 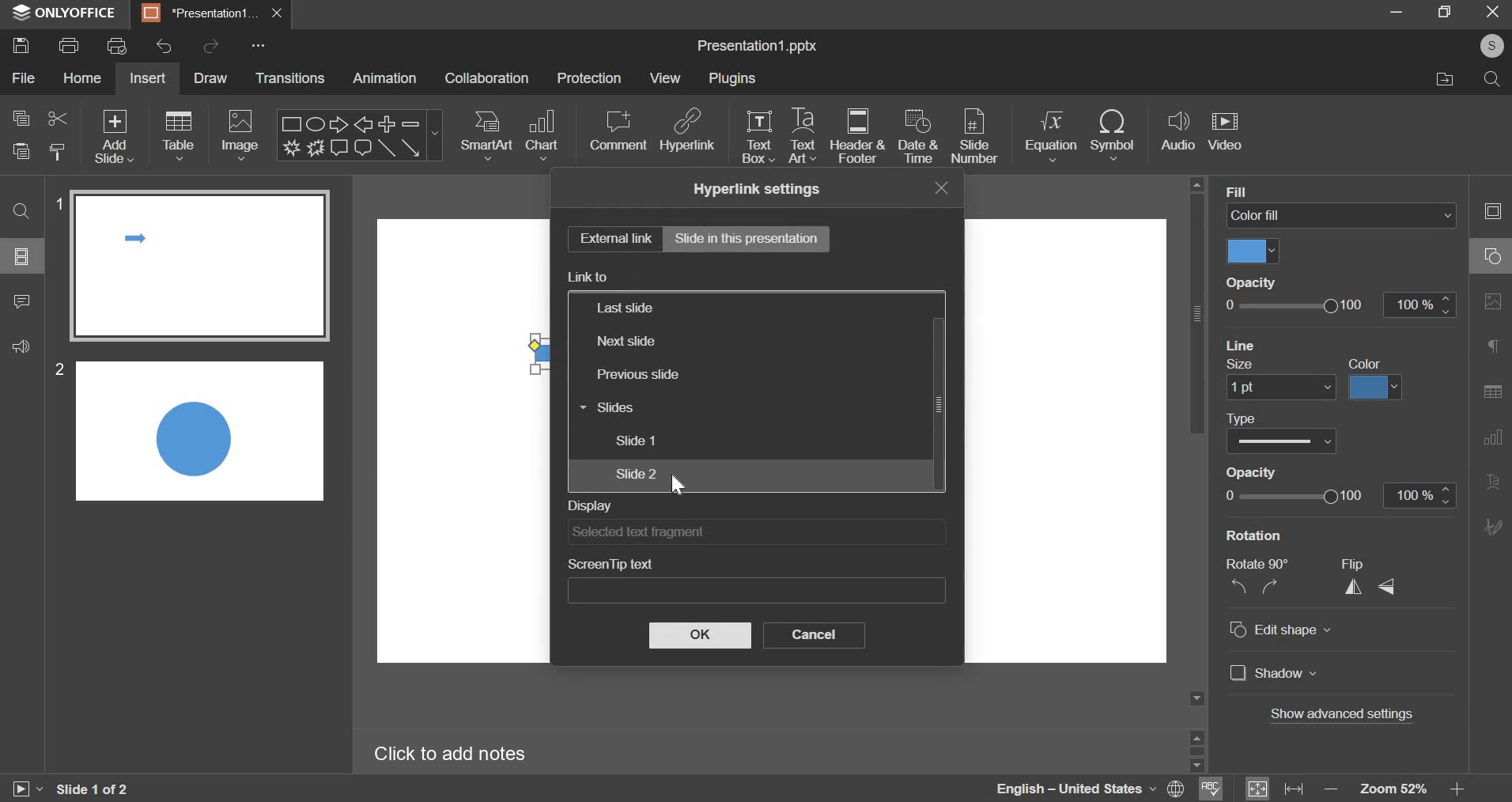 What do you see at coordinates (1197, 316) in the screenshot?
I see `vertical scrollbar` at bounding box center [1197, 316].